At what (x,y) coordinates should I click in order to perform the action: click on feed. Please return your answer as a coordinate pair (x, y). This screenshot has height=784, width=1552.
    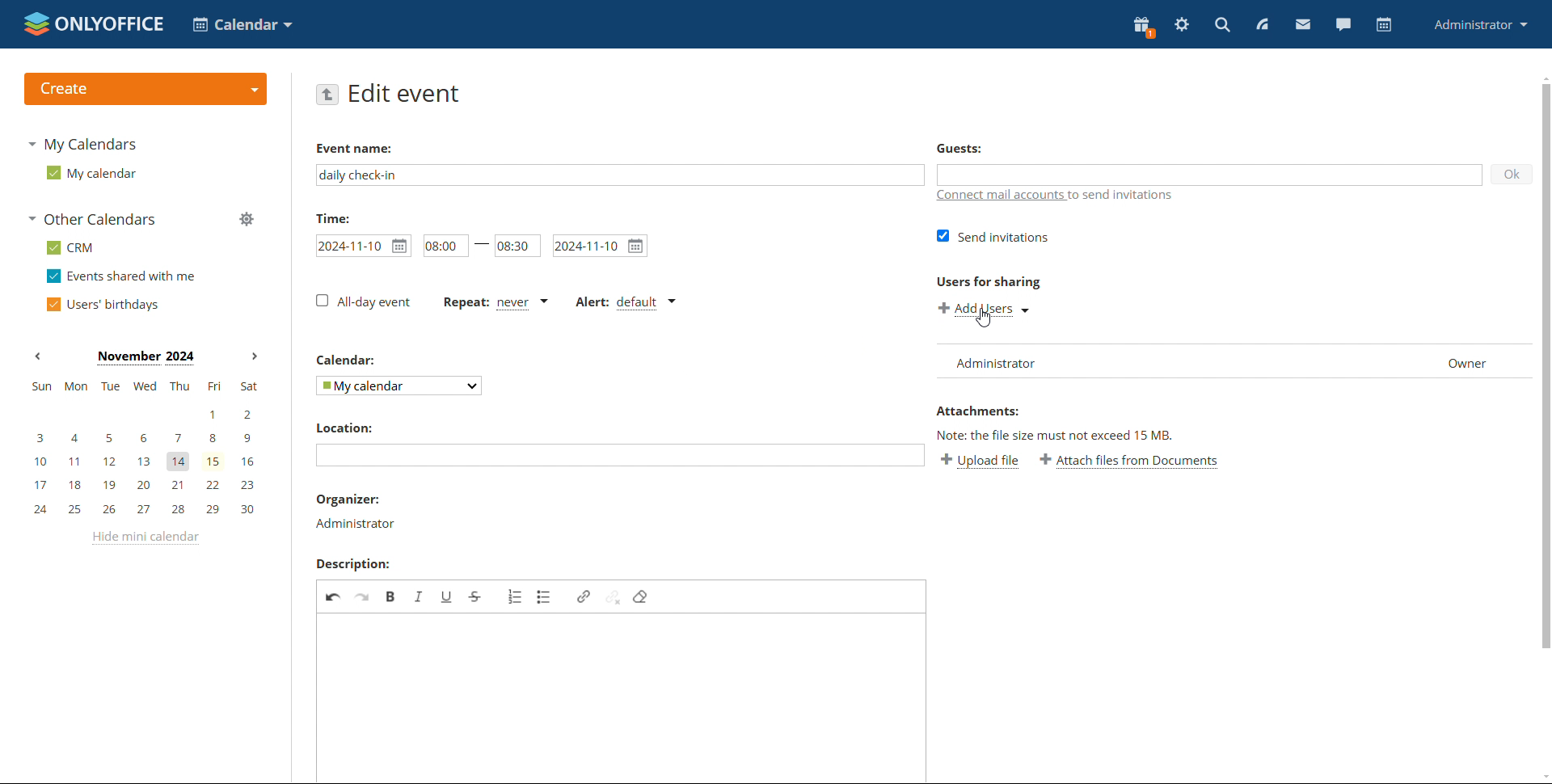
    Looking at the image, I should click on (1261, 24).